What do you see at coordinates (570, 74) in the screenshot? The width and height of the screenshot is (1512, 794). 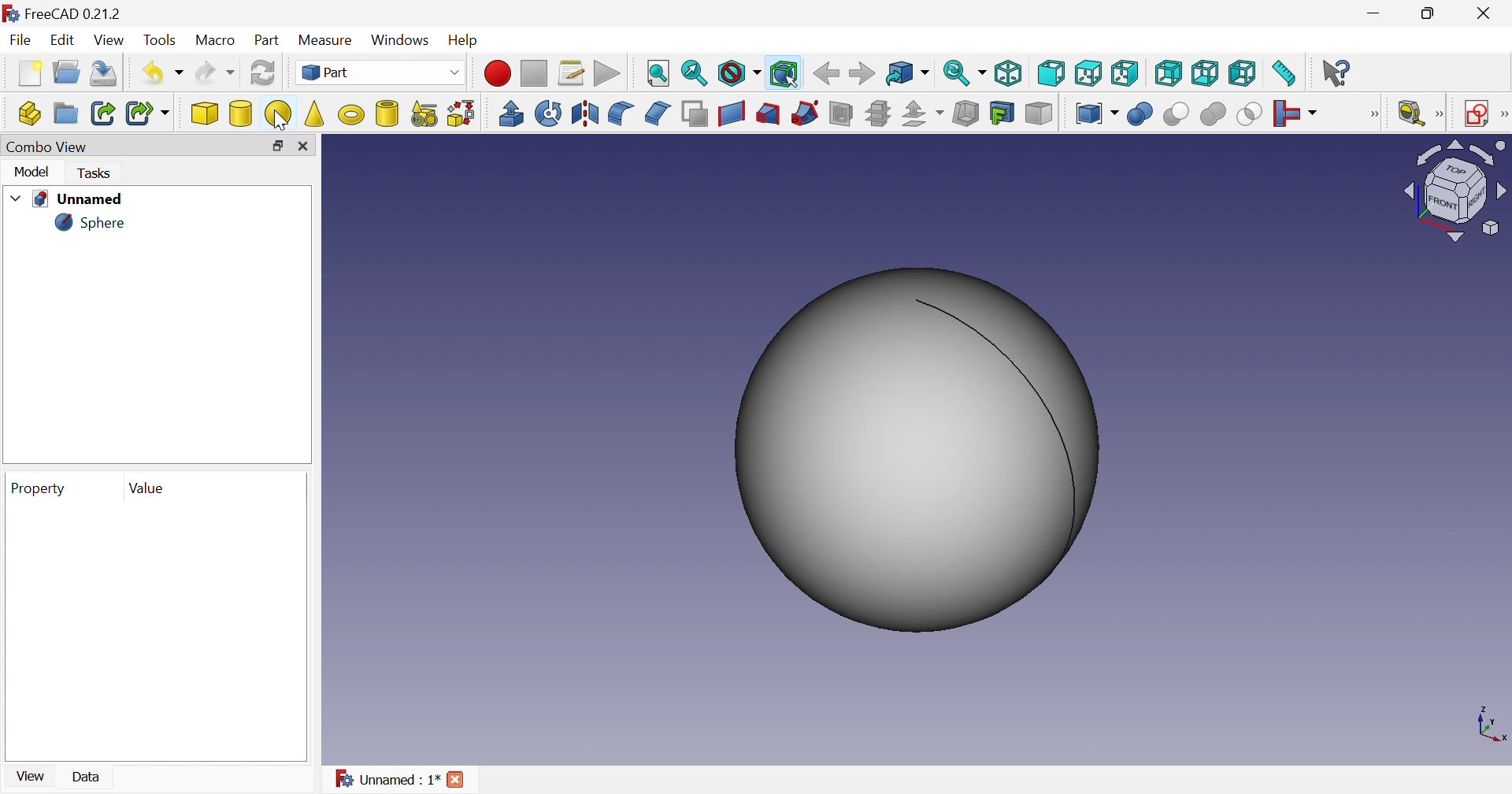 I see `Macros...` at bounding box center [570, 74].